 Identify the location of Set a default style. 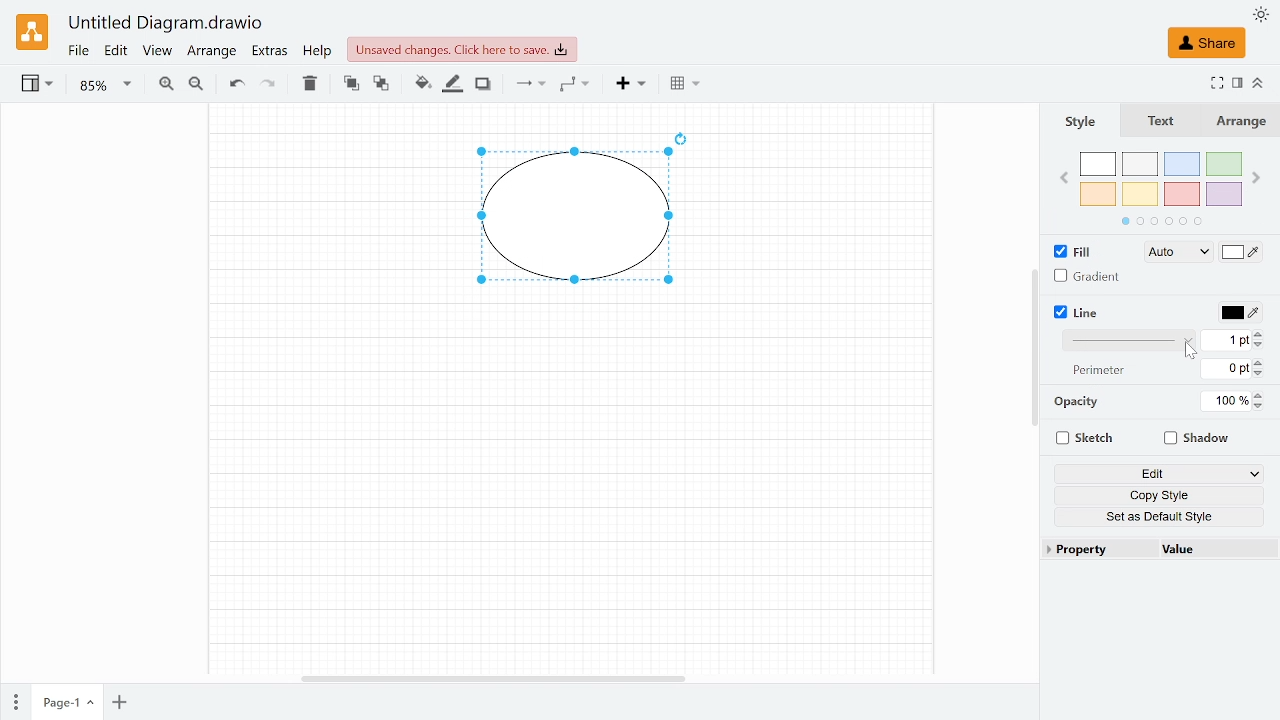
(1163, 516).